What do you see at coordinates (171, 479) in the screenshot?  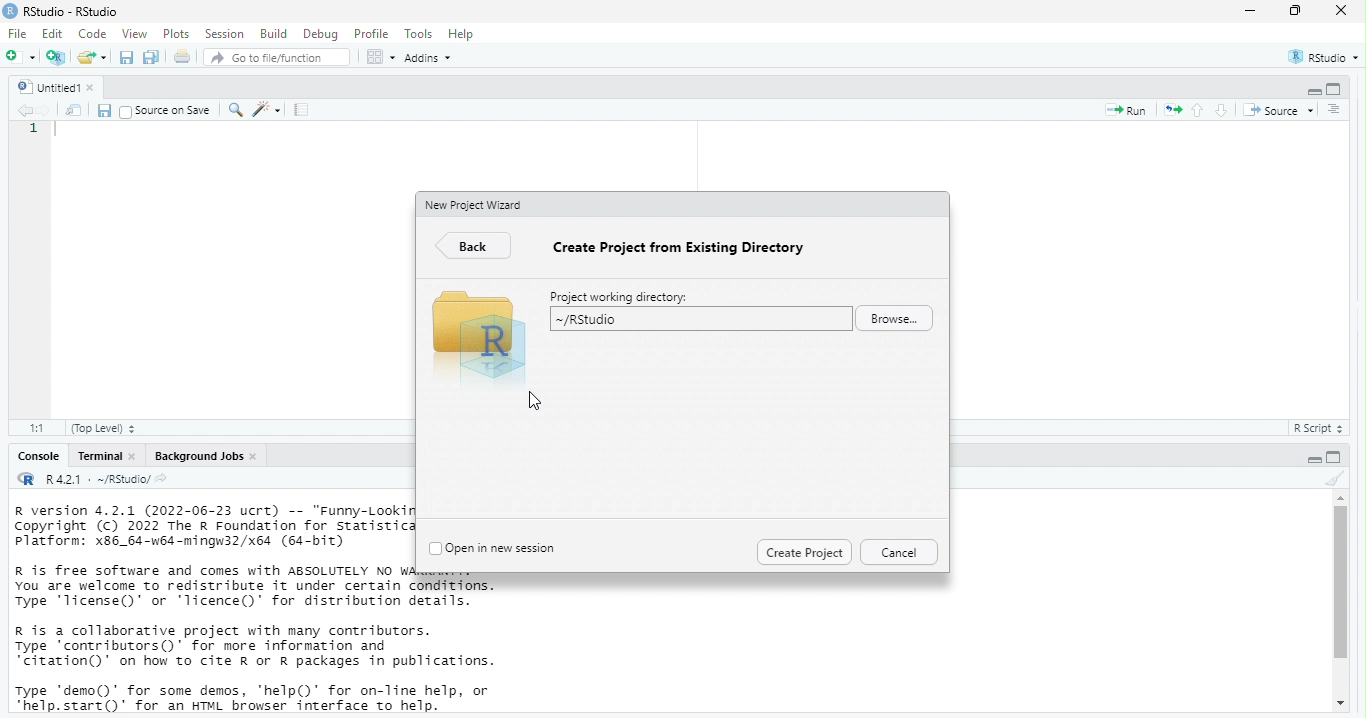 I see `view the current working directory` at bounding box center [171, 479].